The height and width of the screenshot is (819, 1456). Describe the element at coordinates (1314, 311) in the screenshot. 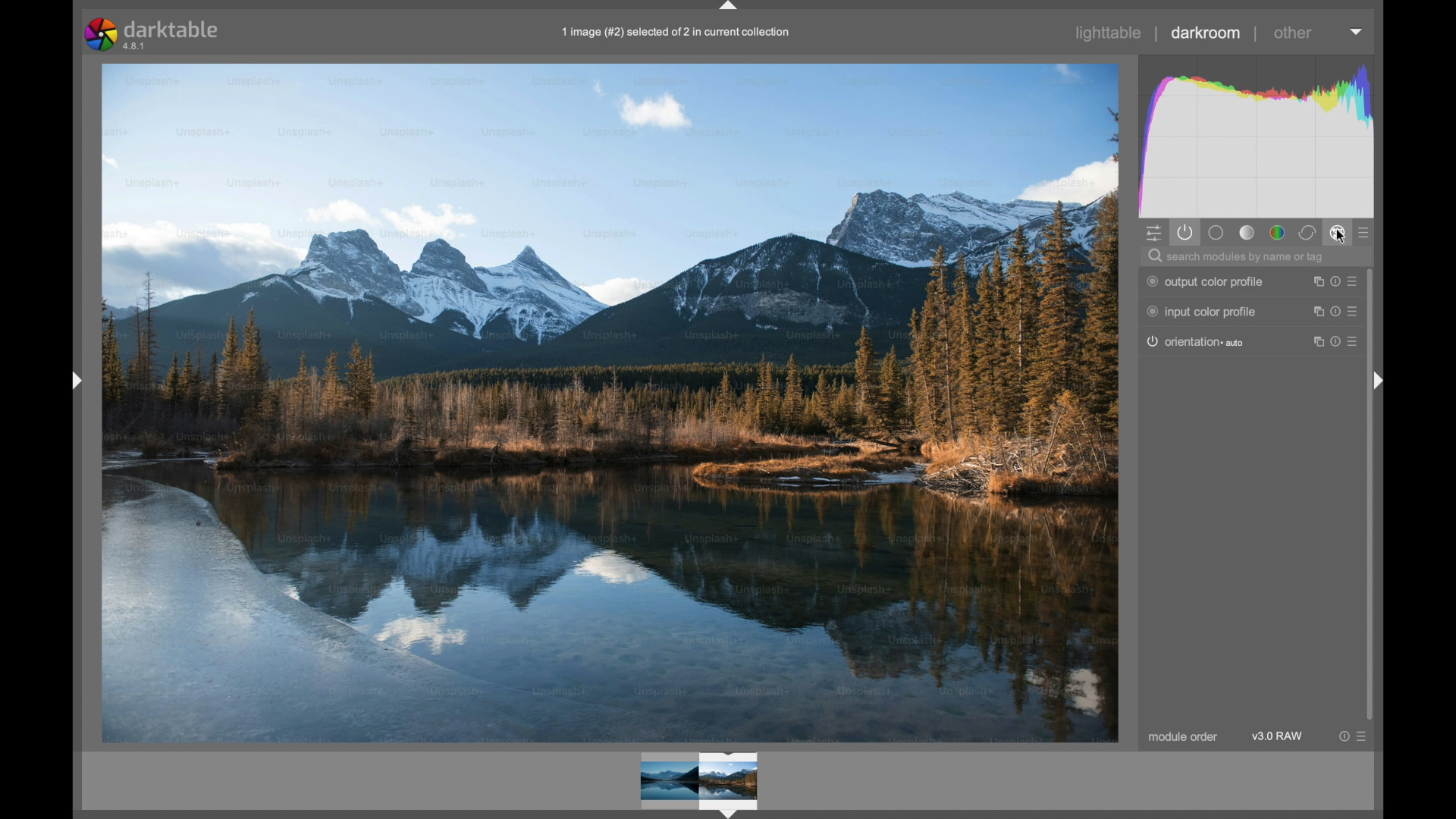

I see `reset parameter` at that location.